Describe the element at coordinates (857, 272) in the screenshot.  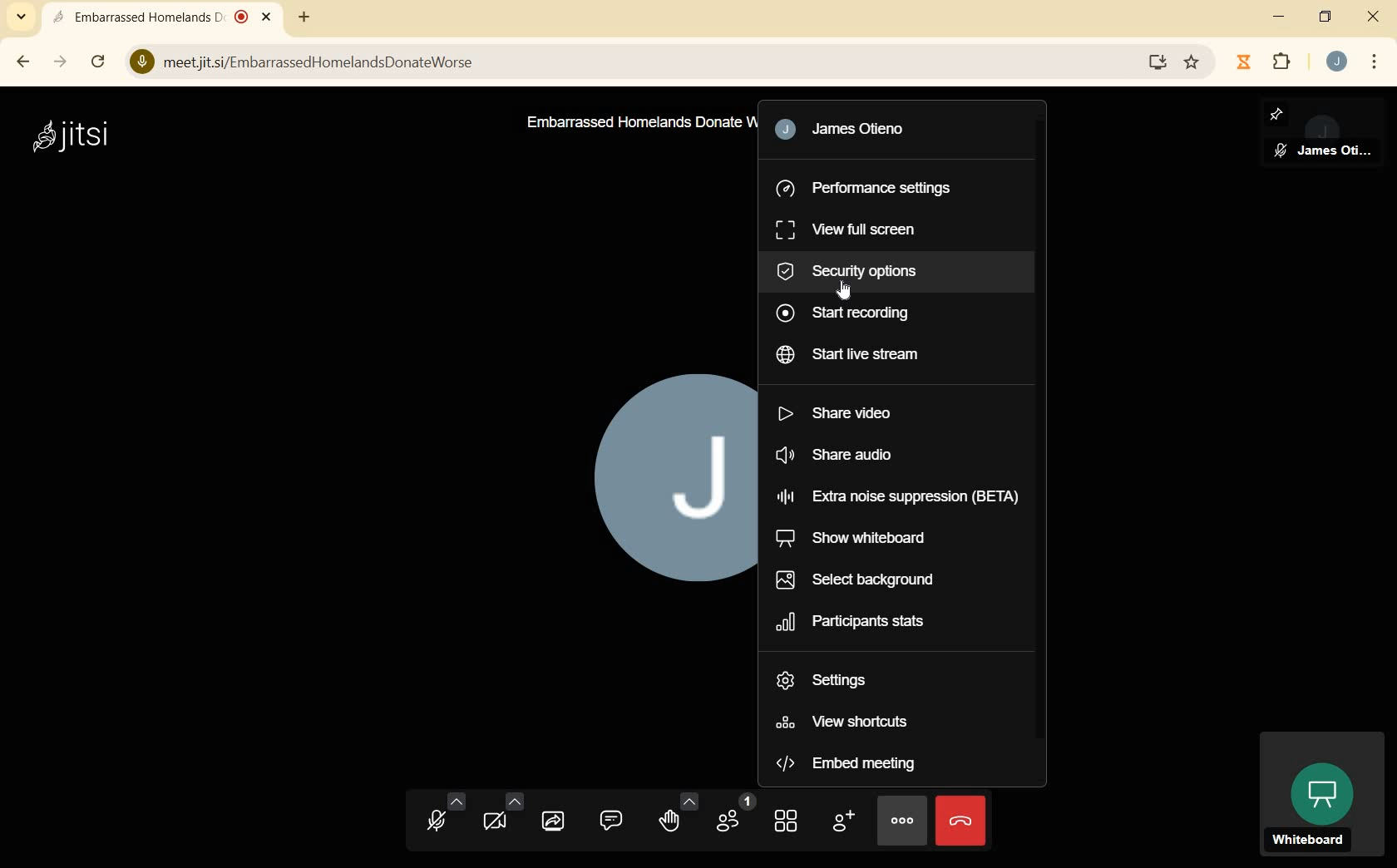
I see `SECURITY OPTIONS` at that location.